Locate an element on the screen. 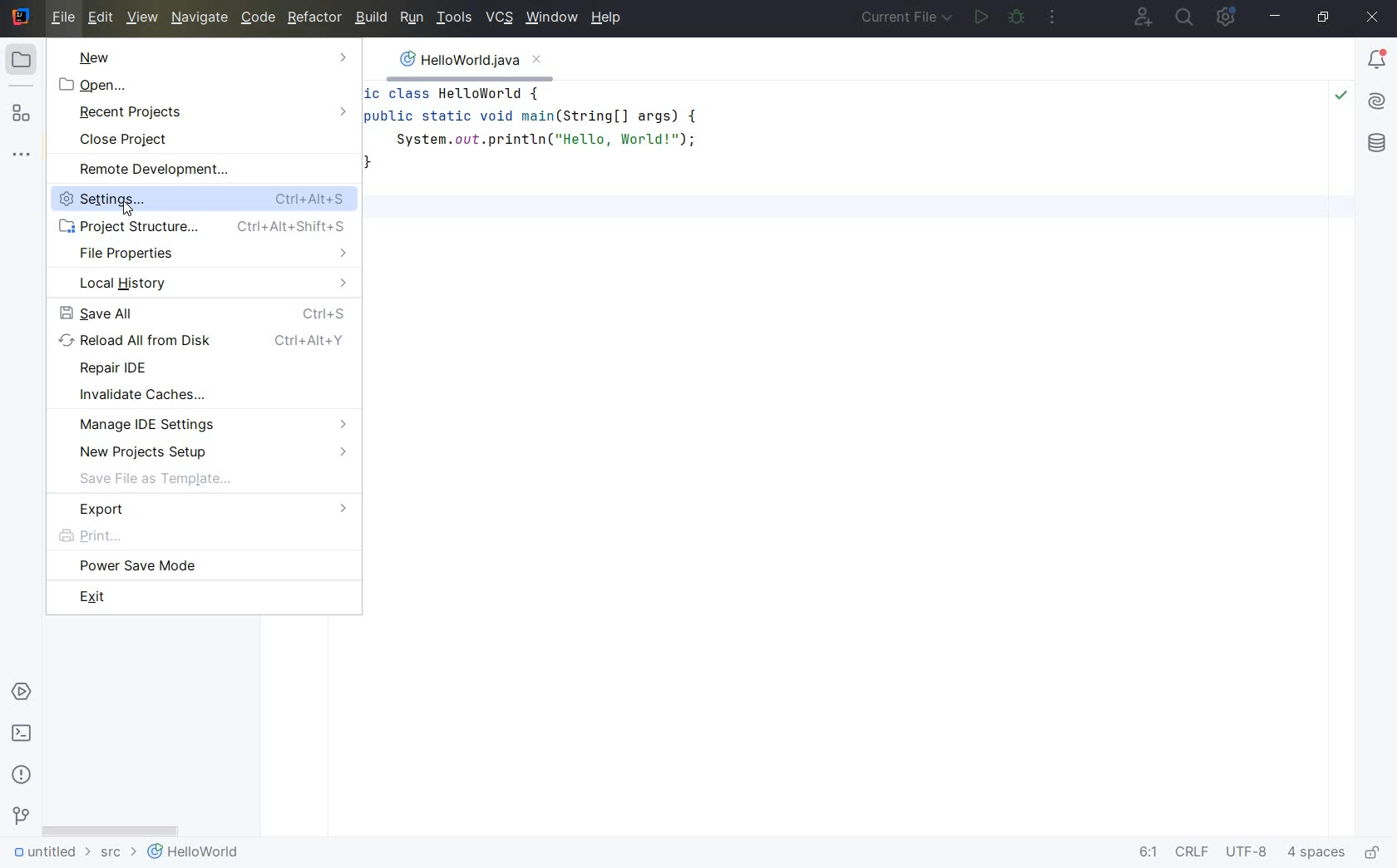 This screenshot has width=1397, height=868. problems is located at coordinates (22, 774).